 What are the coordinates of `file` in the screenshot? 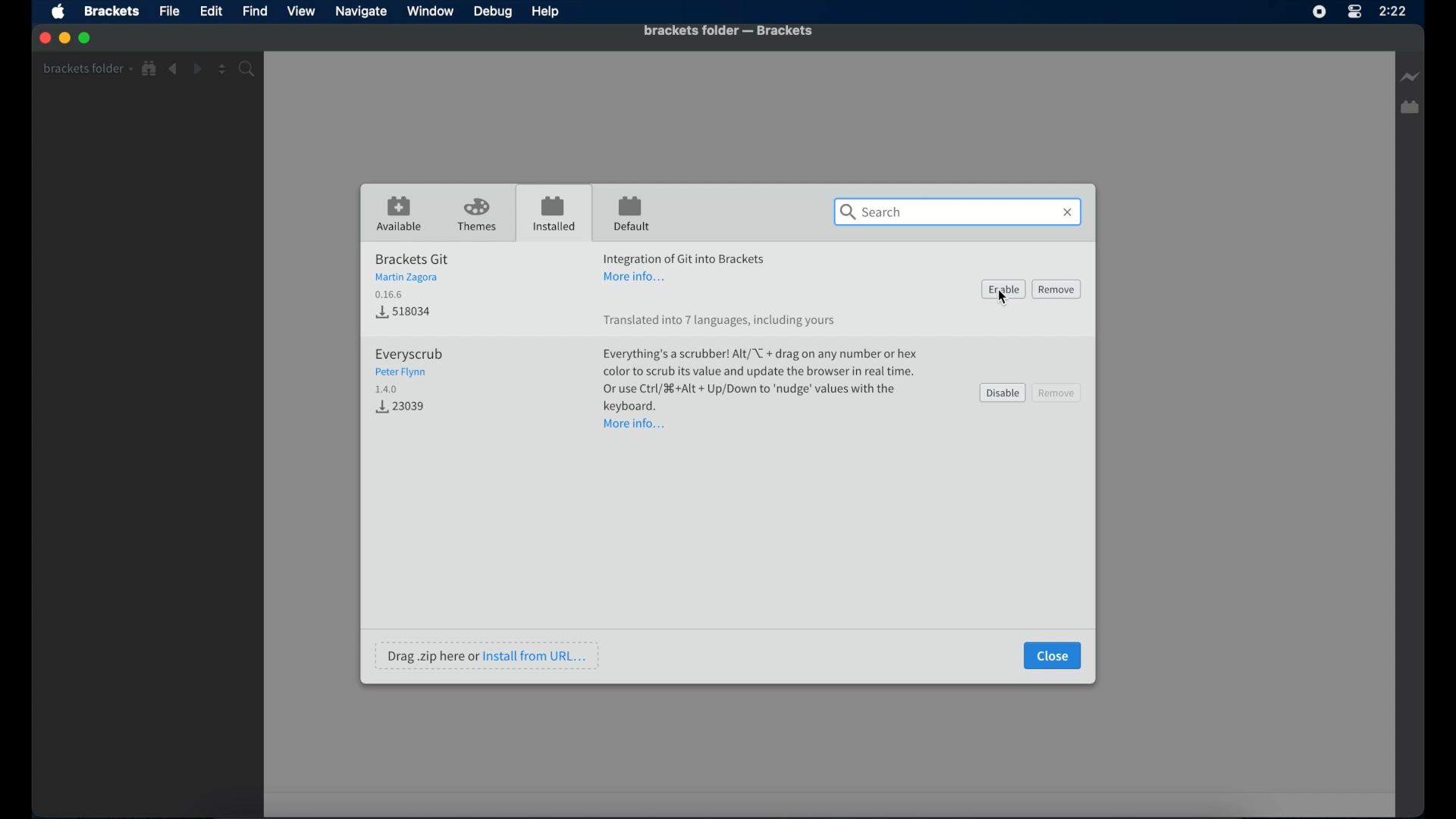 It's located at (170, 11).